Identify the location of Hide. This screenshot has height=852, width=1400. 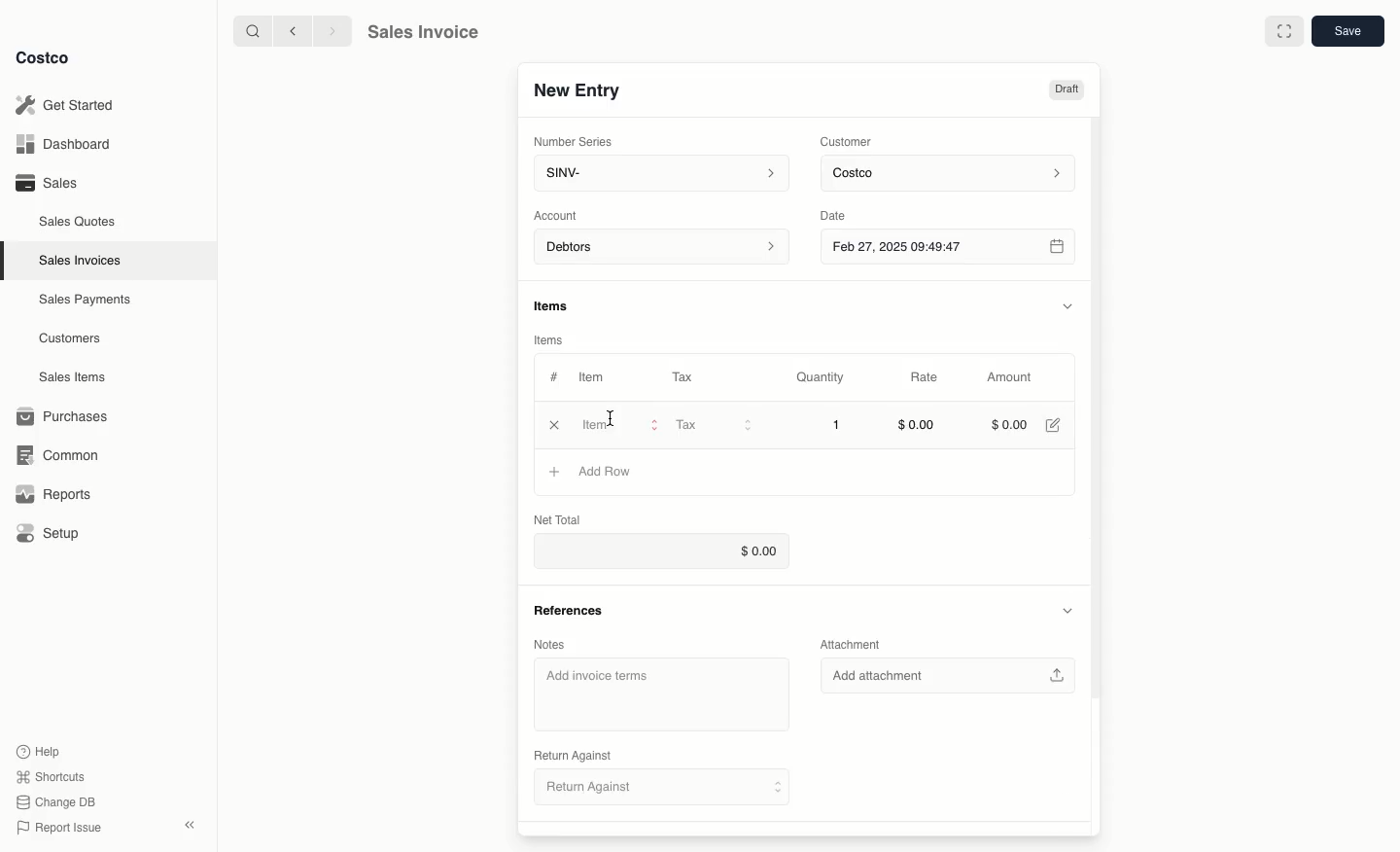
(1067, 303).